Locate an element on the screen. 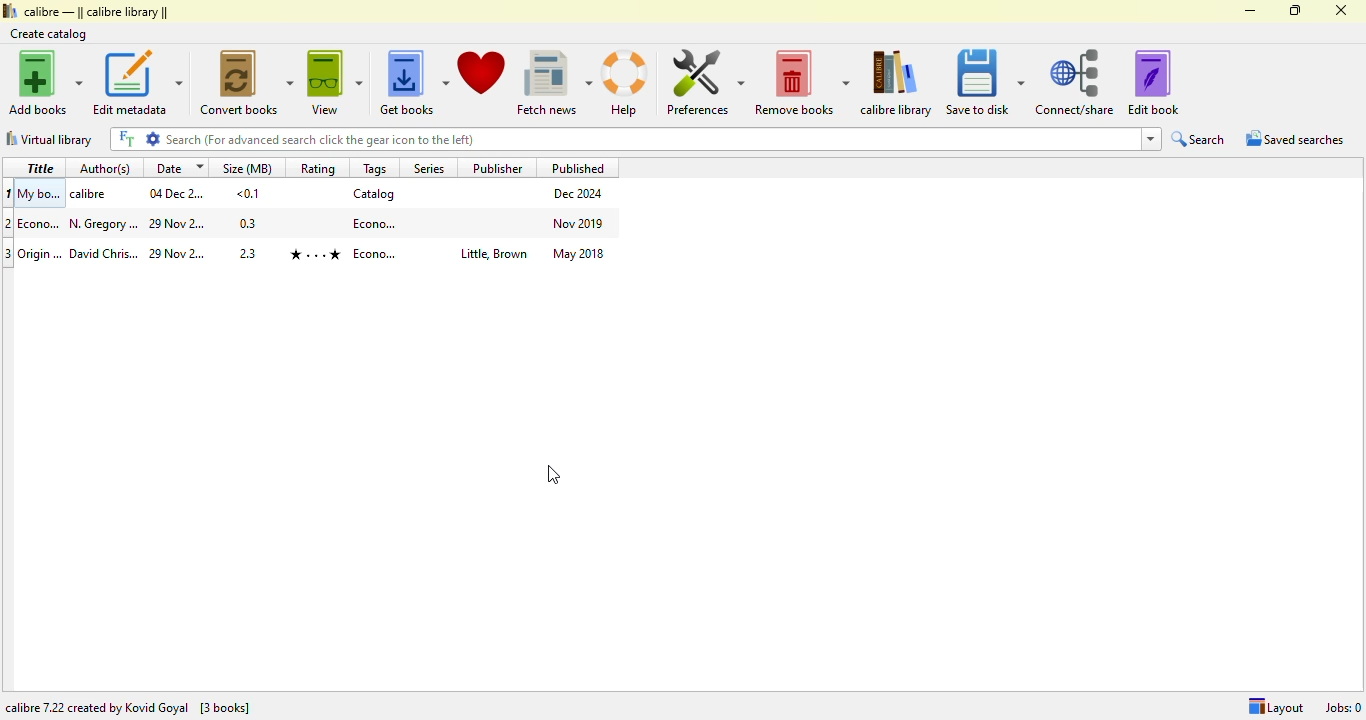 This screenshot has height=720, width=1366. Jobs: 0 is located at coordinates (1342, 706).